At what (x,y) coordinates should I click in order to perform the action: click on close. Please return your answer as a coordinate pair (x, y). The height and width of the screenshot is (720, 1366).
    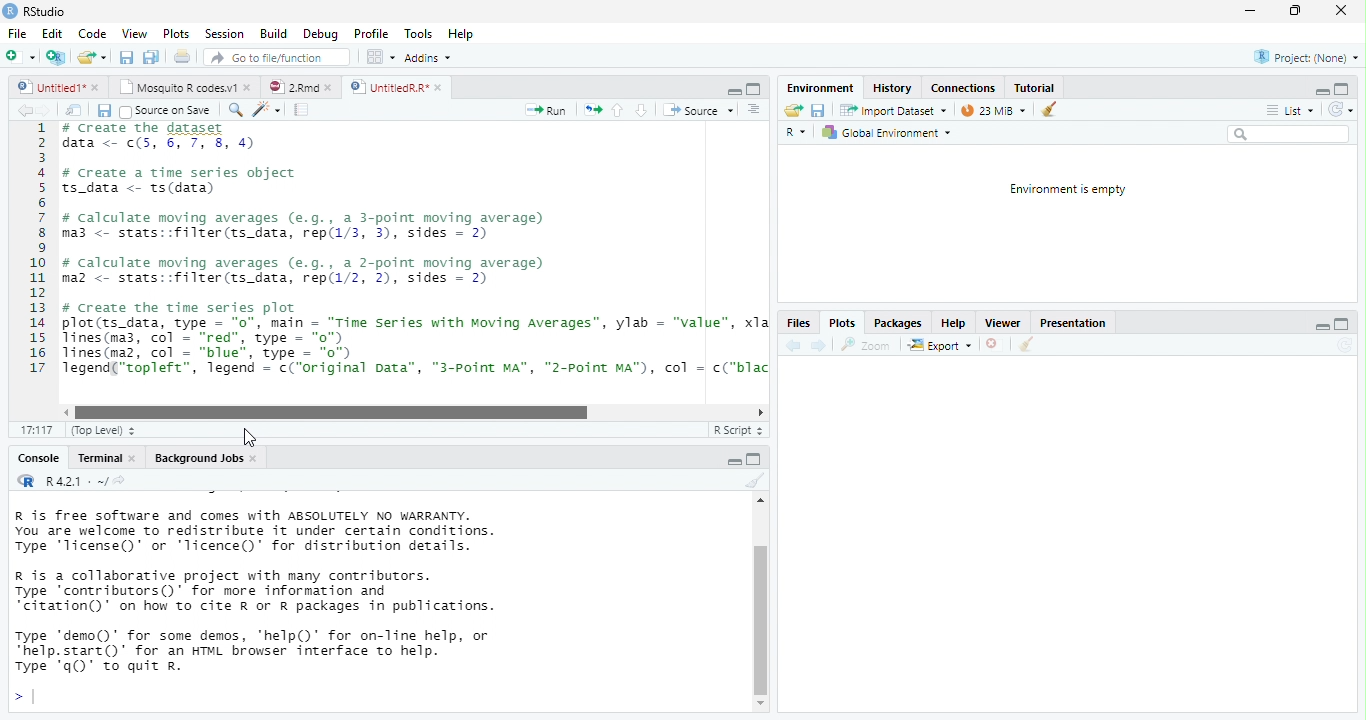
    Looking at the image, I should click on (995, 346).